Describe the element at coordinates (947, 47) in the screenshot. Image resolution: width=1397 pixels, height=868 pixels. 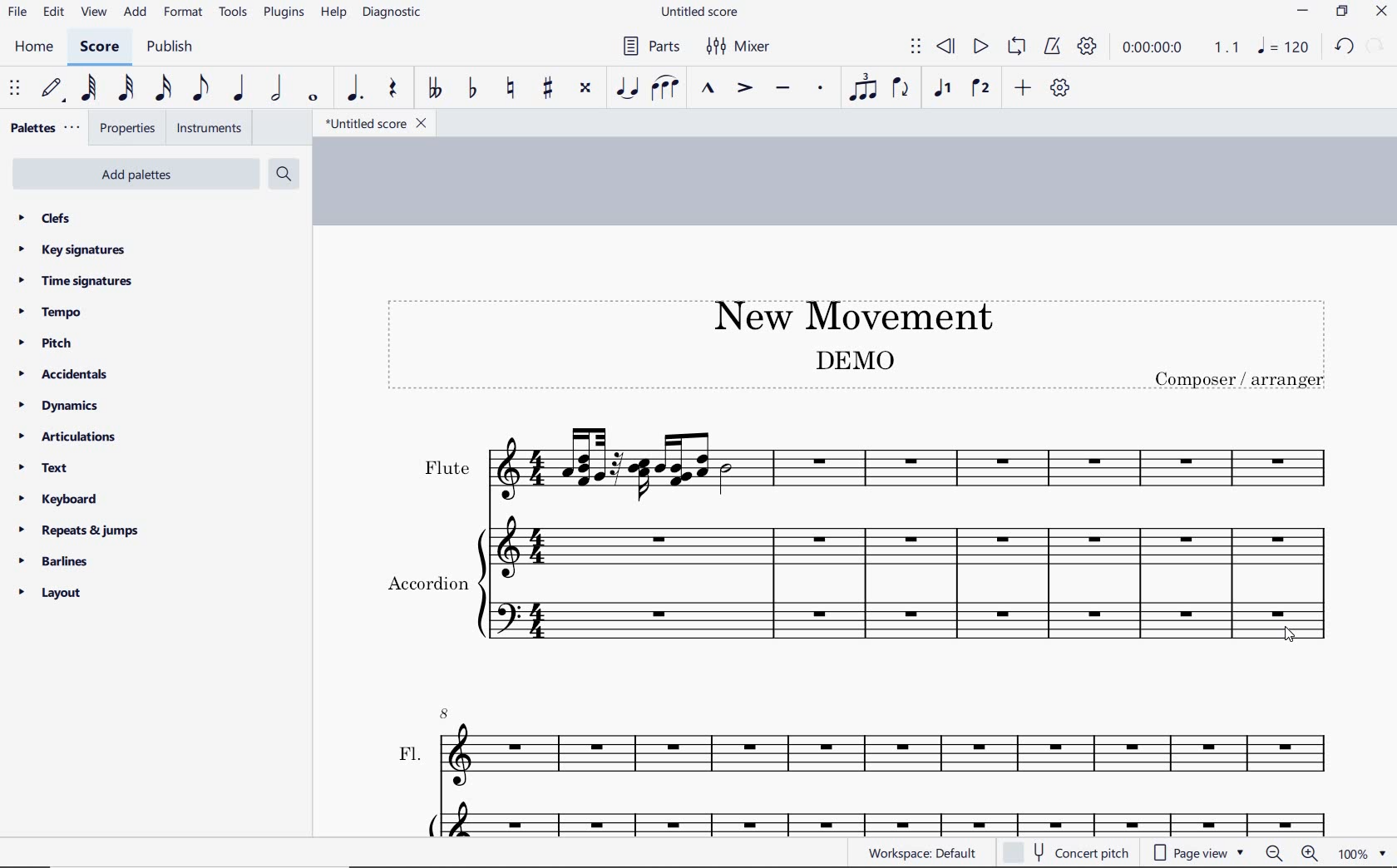
I see `rewind` at that location.